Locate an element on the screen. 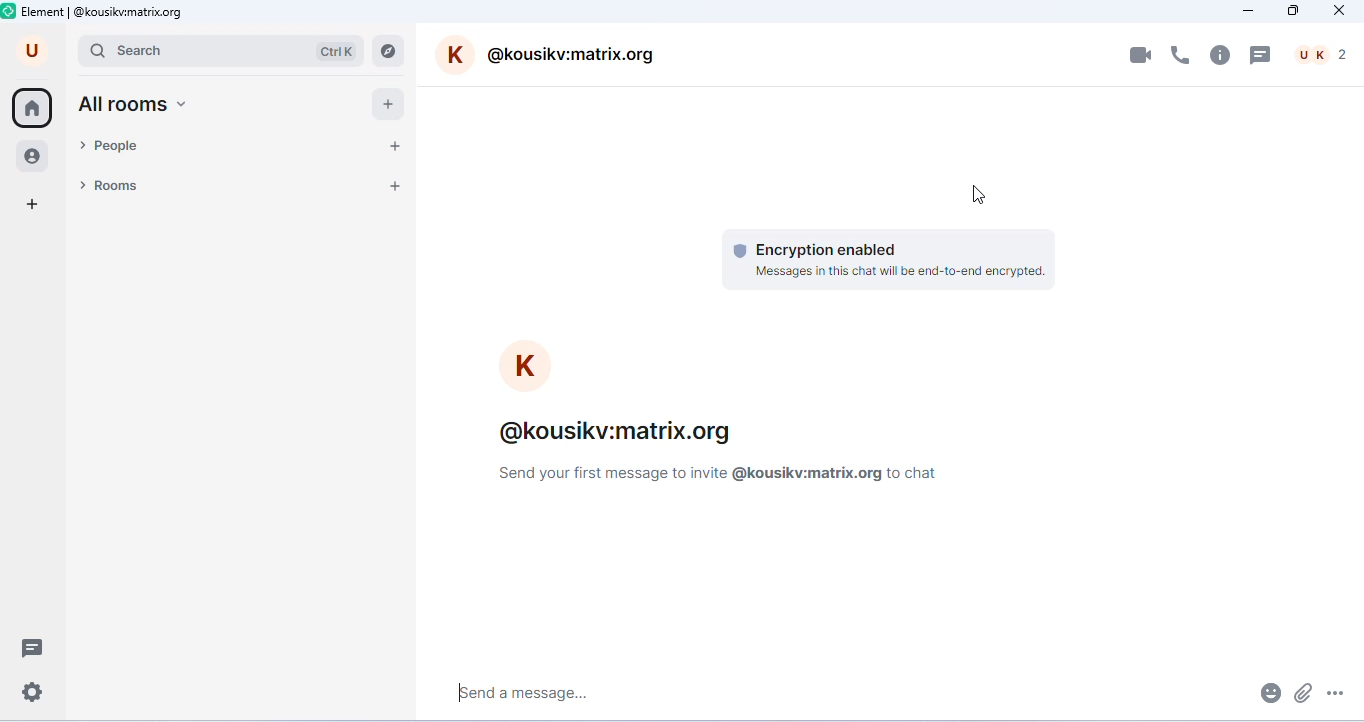  add is located at coordinates (389, 104).